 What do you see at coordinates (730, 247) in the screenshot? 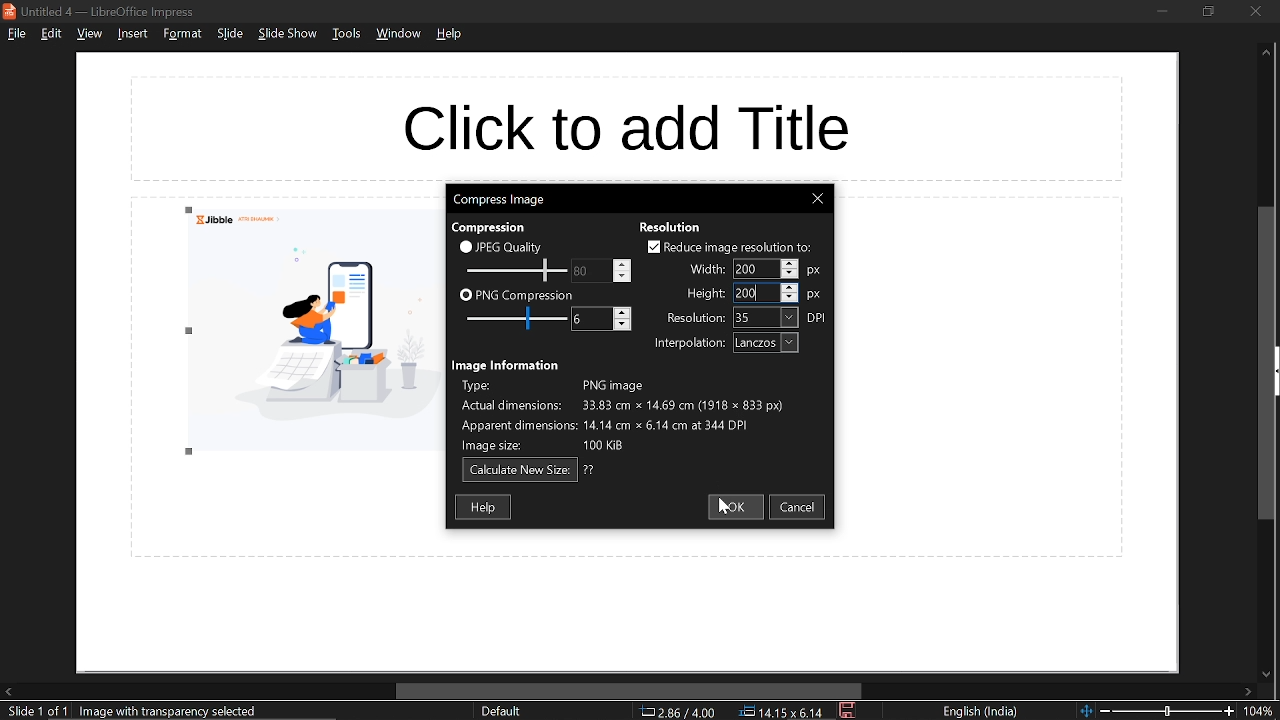
I see `reduce image resolution to` at bounding box center [730, 247].